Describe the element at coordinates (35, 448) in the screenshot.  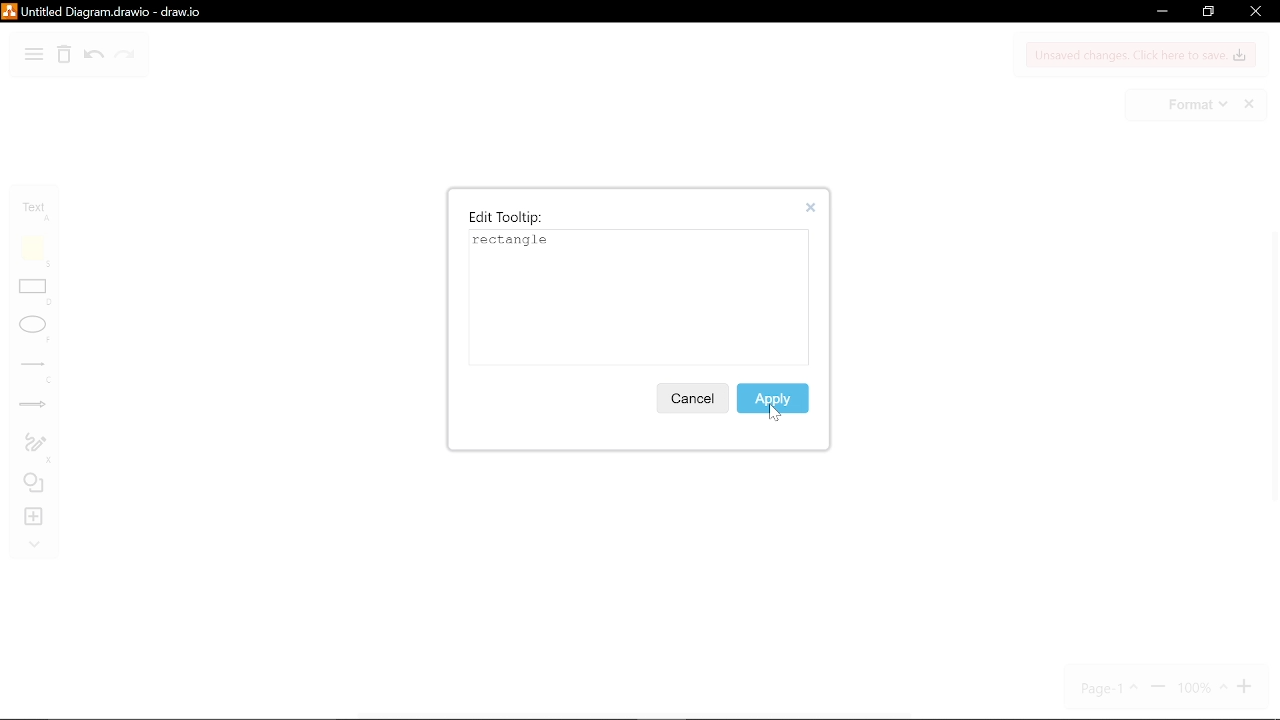
I see `freehand` at that location.